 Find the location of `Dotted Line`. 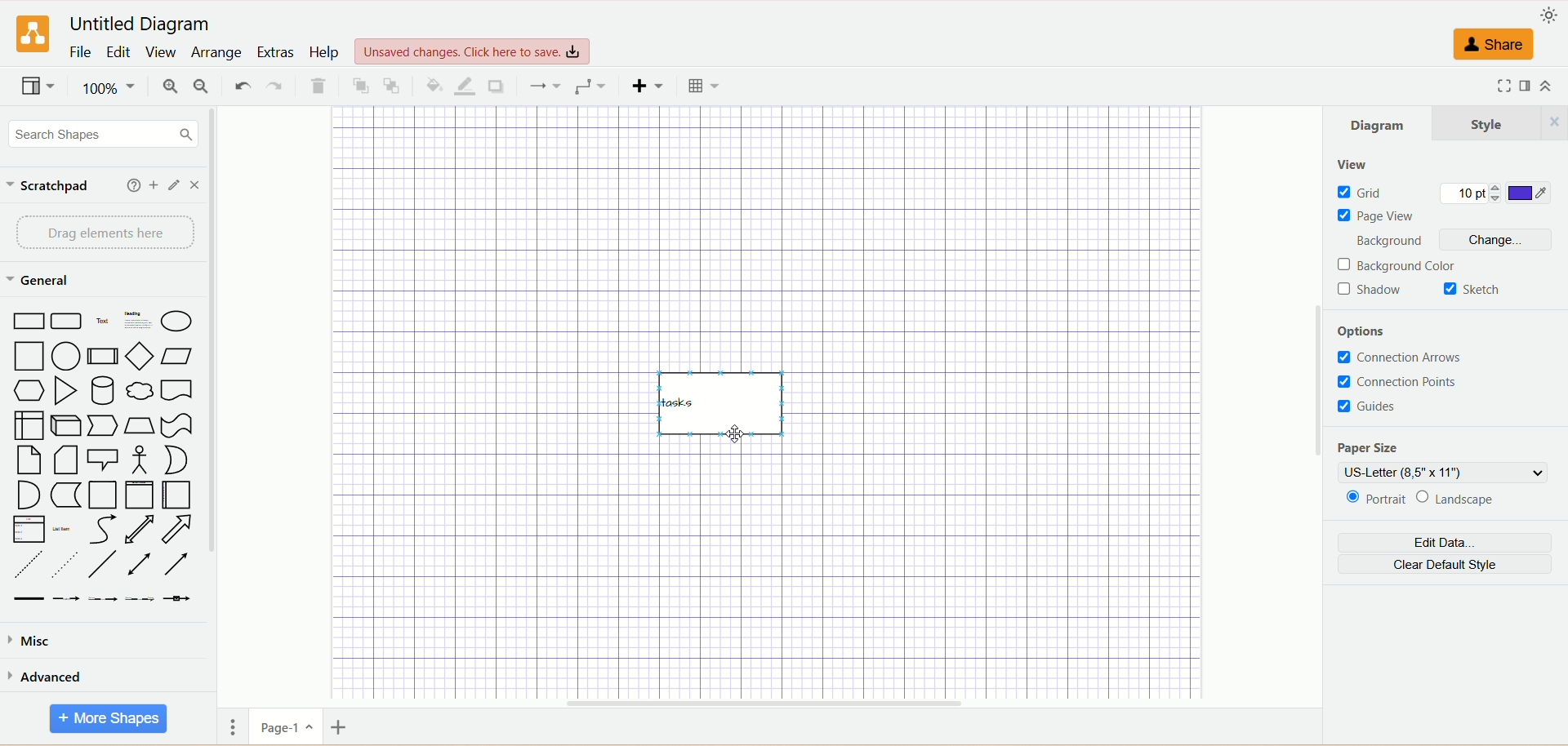

Dotted Line is located at coordinates (29, 566).